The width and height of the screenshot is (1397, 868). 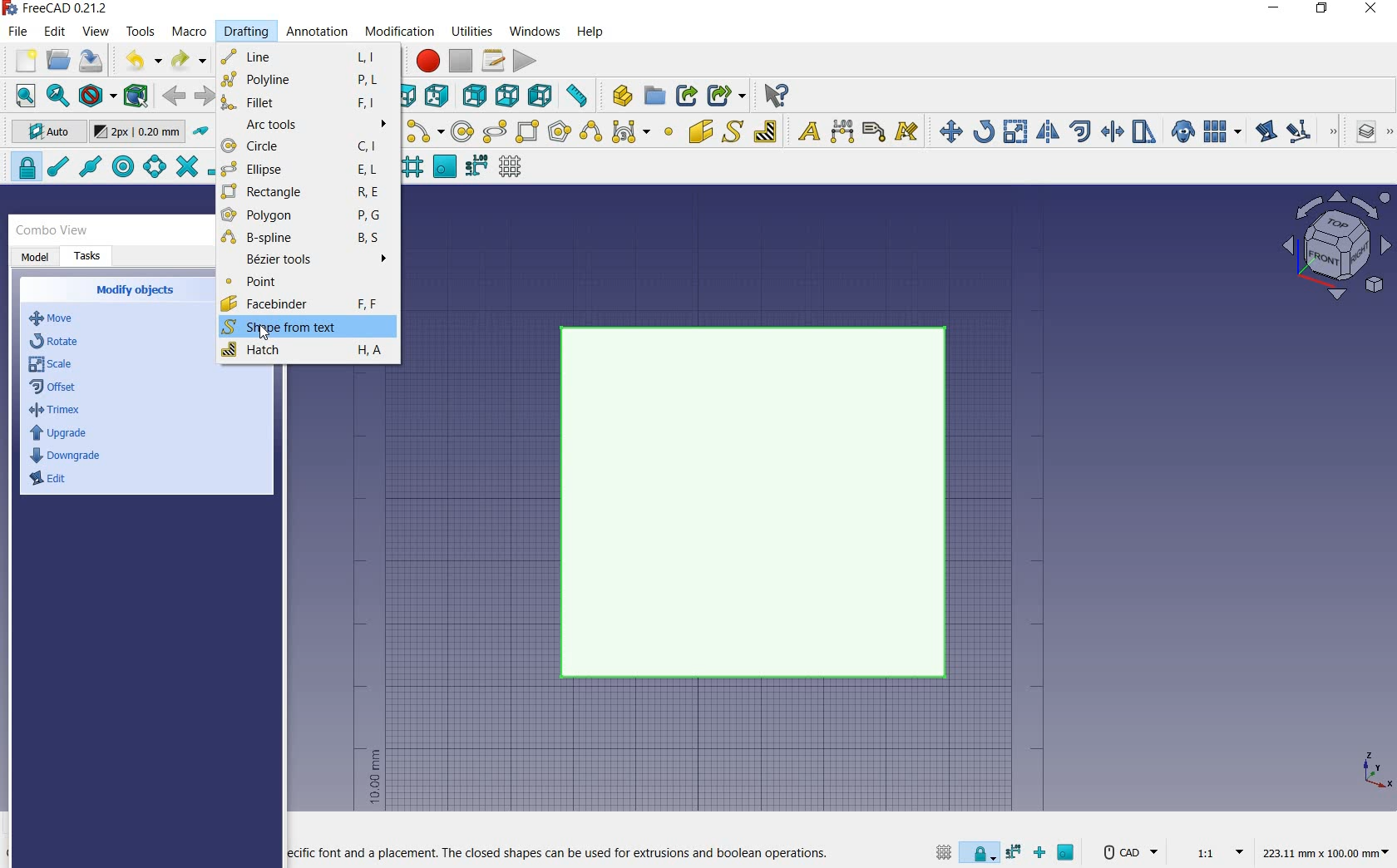 What do you see at coordinates (304, 284) in the screenshot?
I see `point` at bounding box center [304, 284].